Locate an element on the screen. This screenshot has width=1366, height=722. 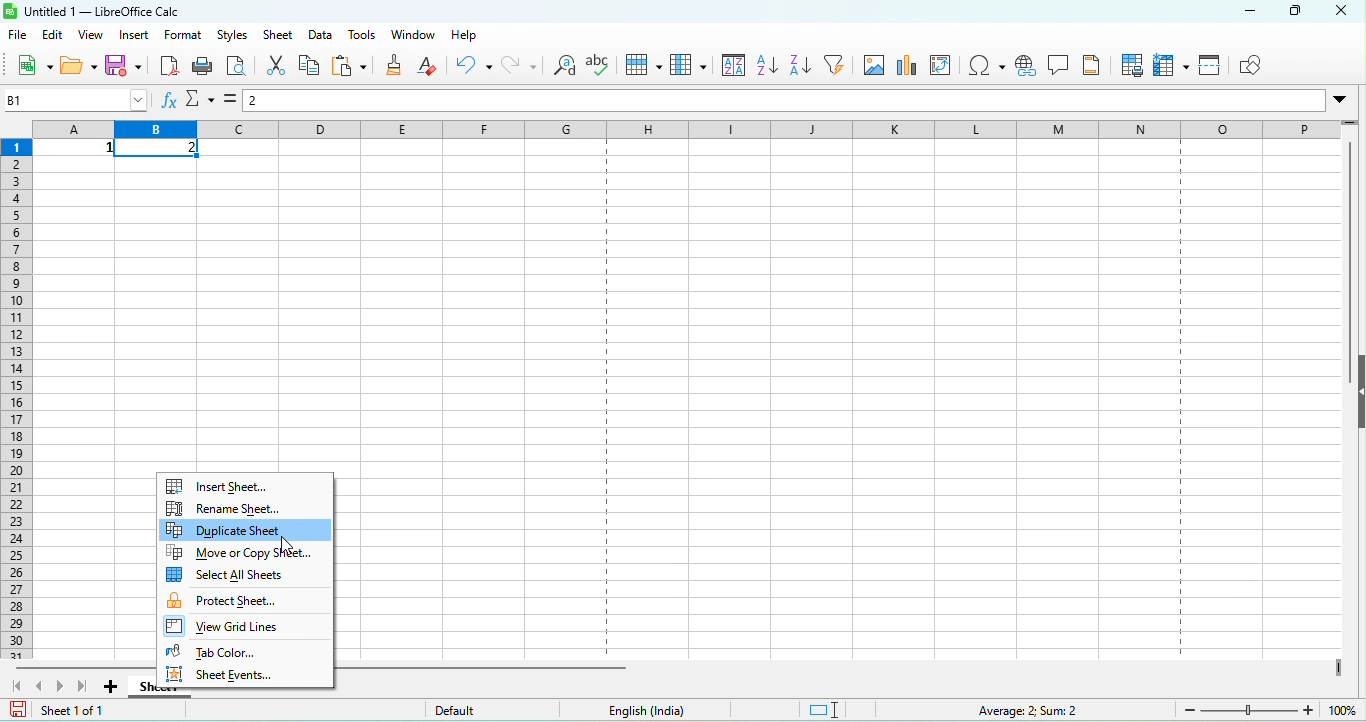
sheet is located at coordinates (280, 36).